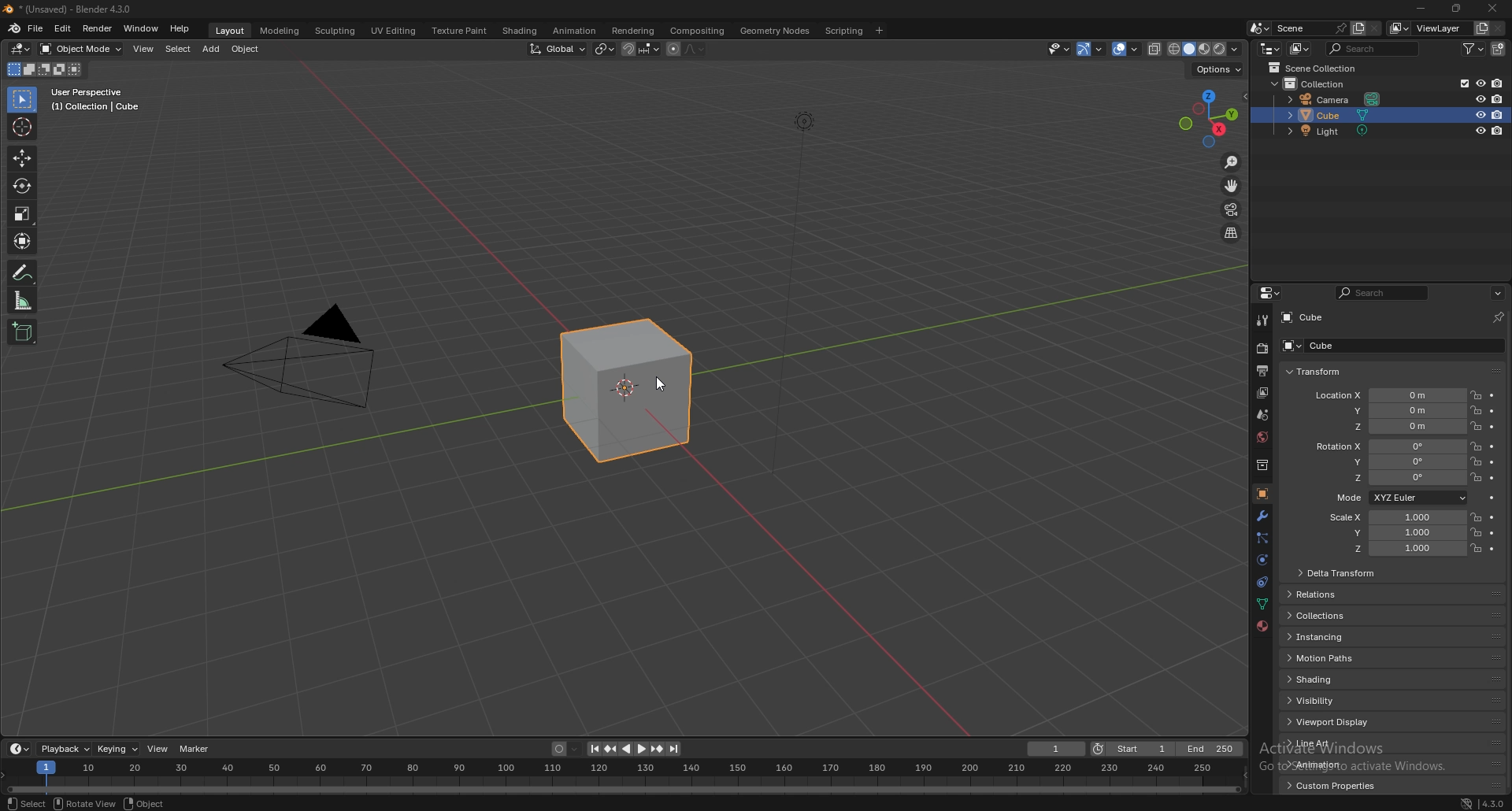 This screenshot has height=811, width=1512. I want to click on custom properties, so click(1339, 785).